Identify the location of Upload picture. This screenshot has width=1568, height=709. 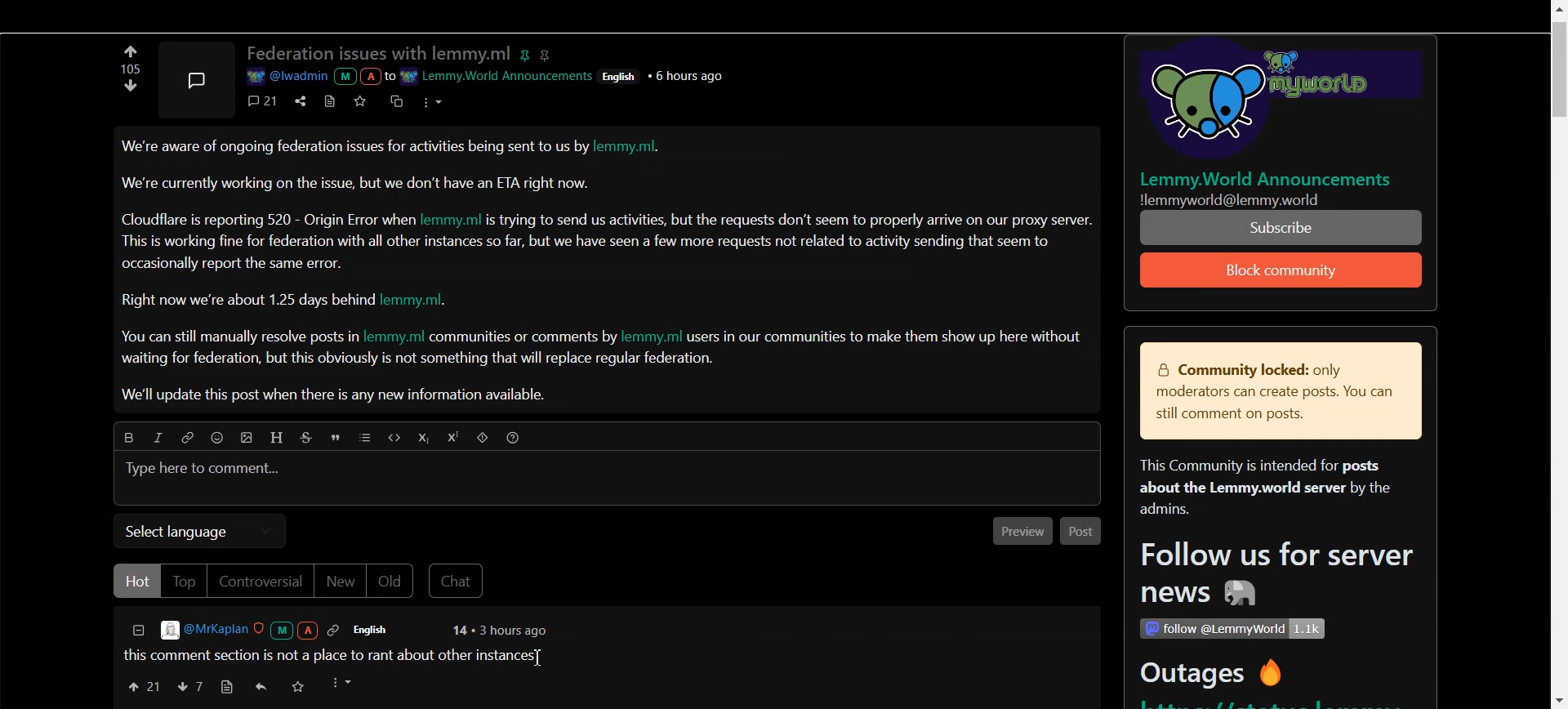
(250, 439).